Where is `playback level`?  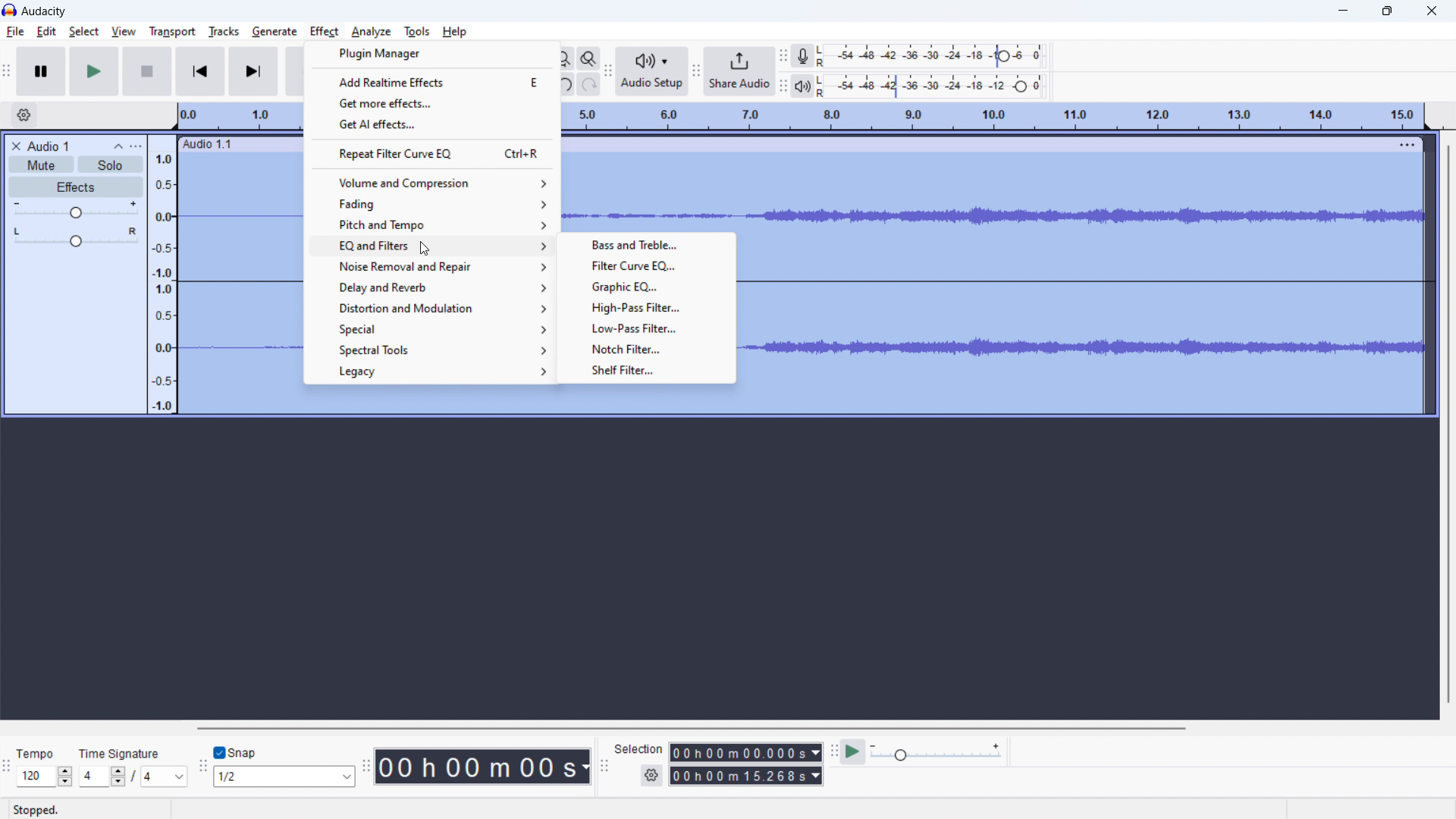 playback level is located at coordinates (936, 86).